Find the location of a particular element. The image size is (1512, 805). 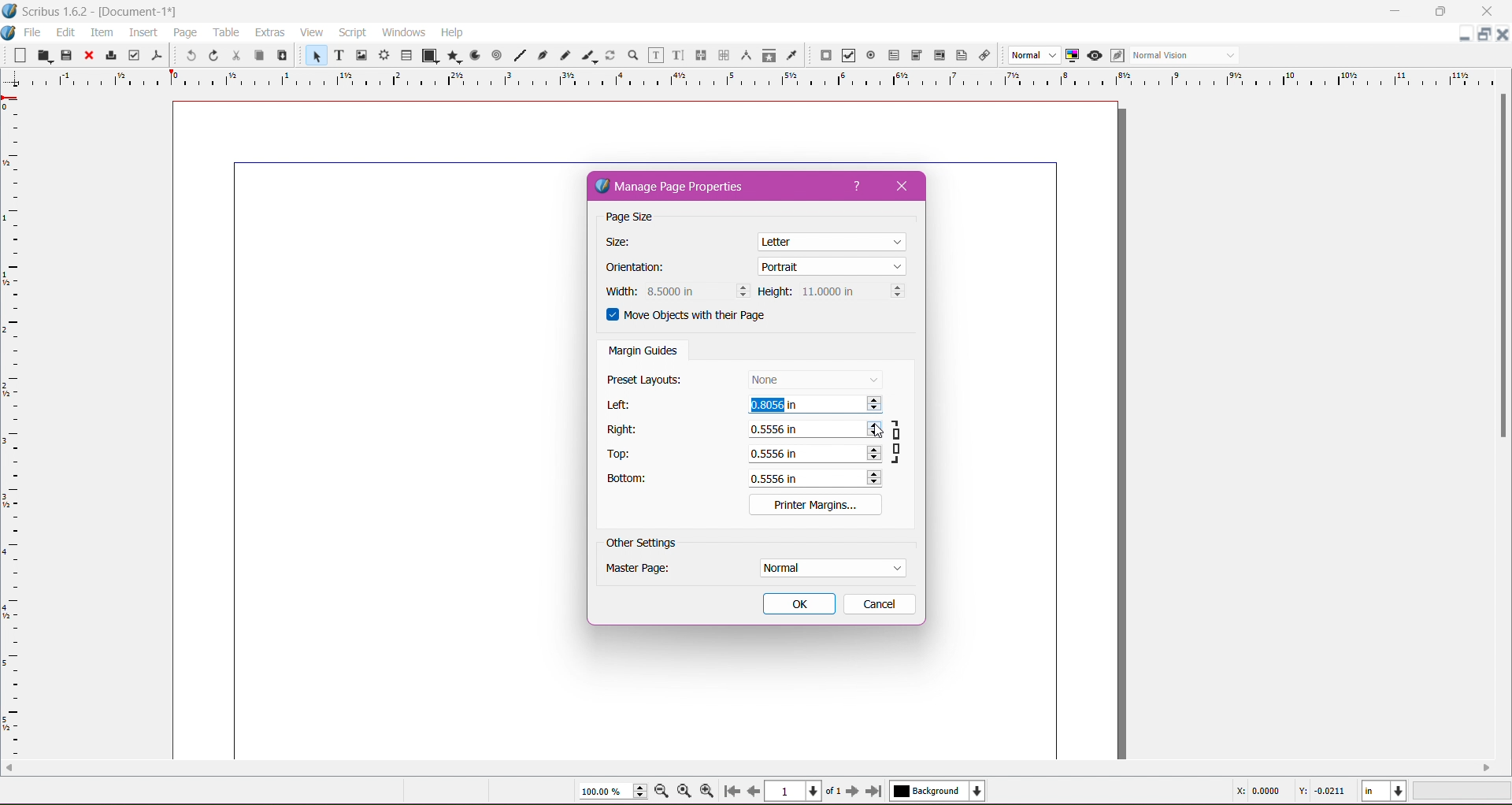

Polygon is located at coordinates (451, 57).